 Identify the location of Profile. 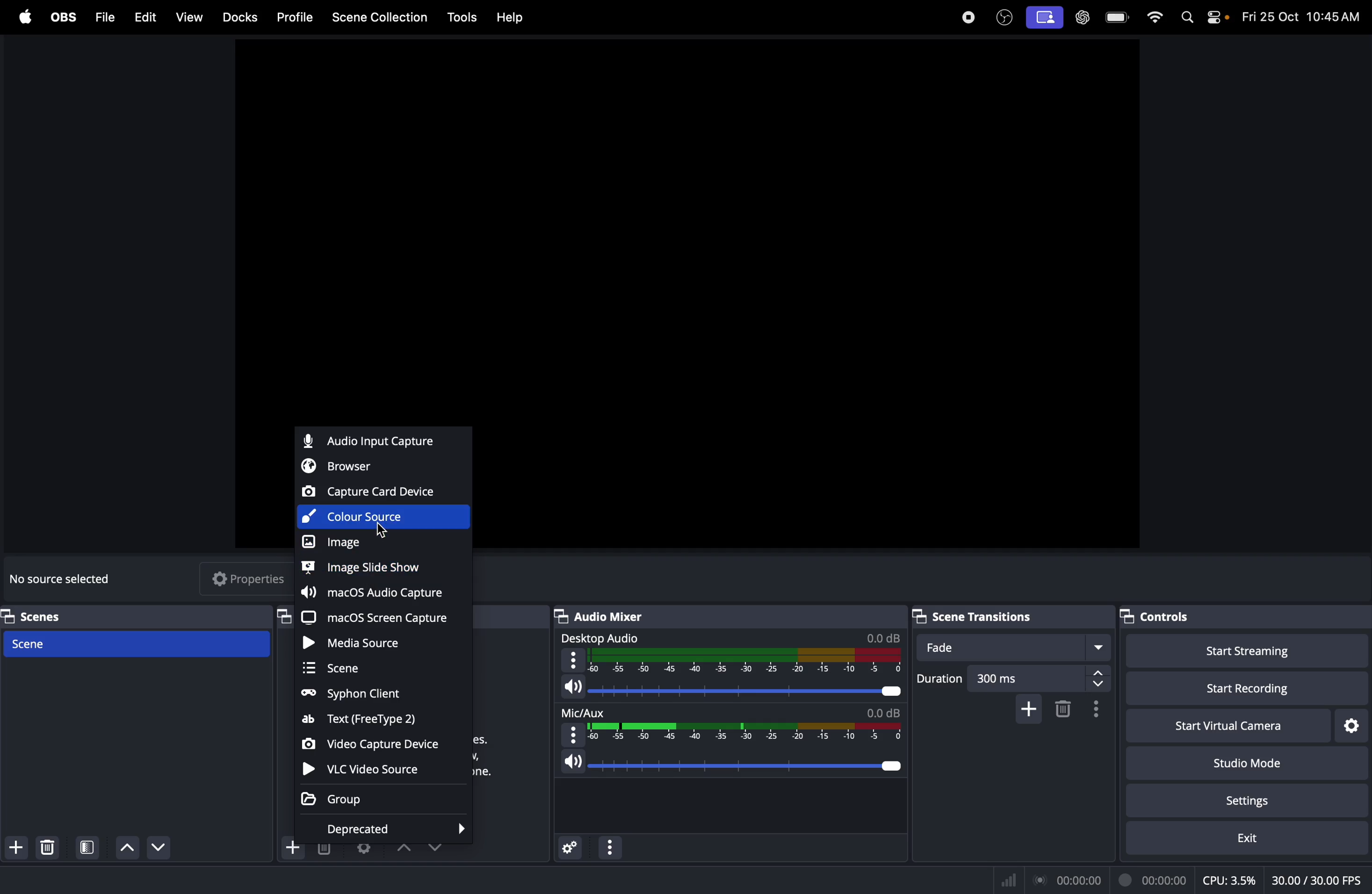
(295, 18).